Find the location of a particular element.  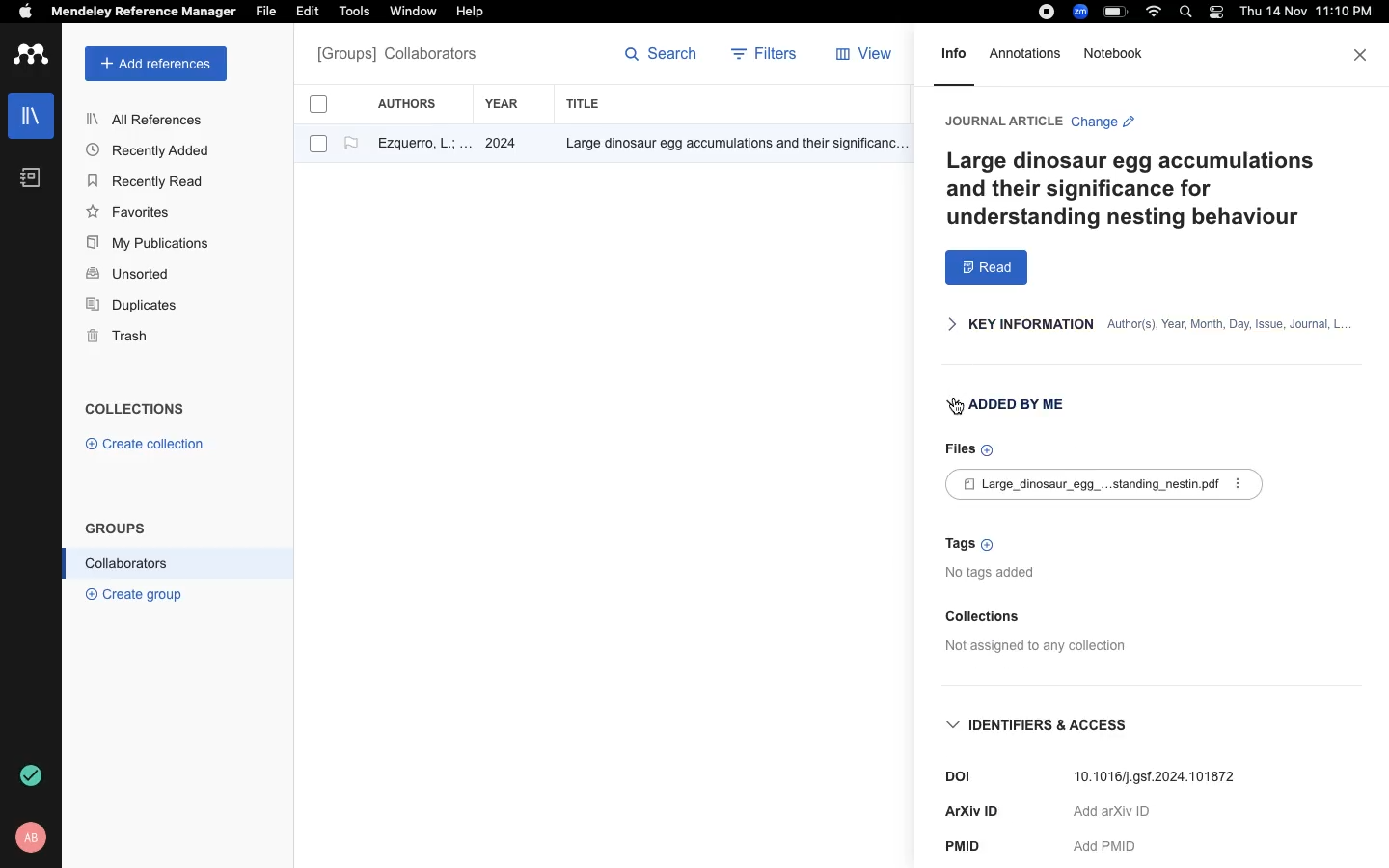

flag is located at coordinates (351, 144).